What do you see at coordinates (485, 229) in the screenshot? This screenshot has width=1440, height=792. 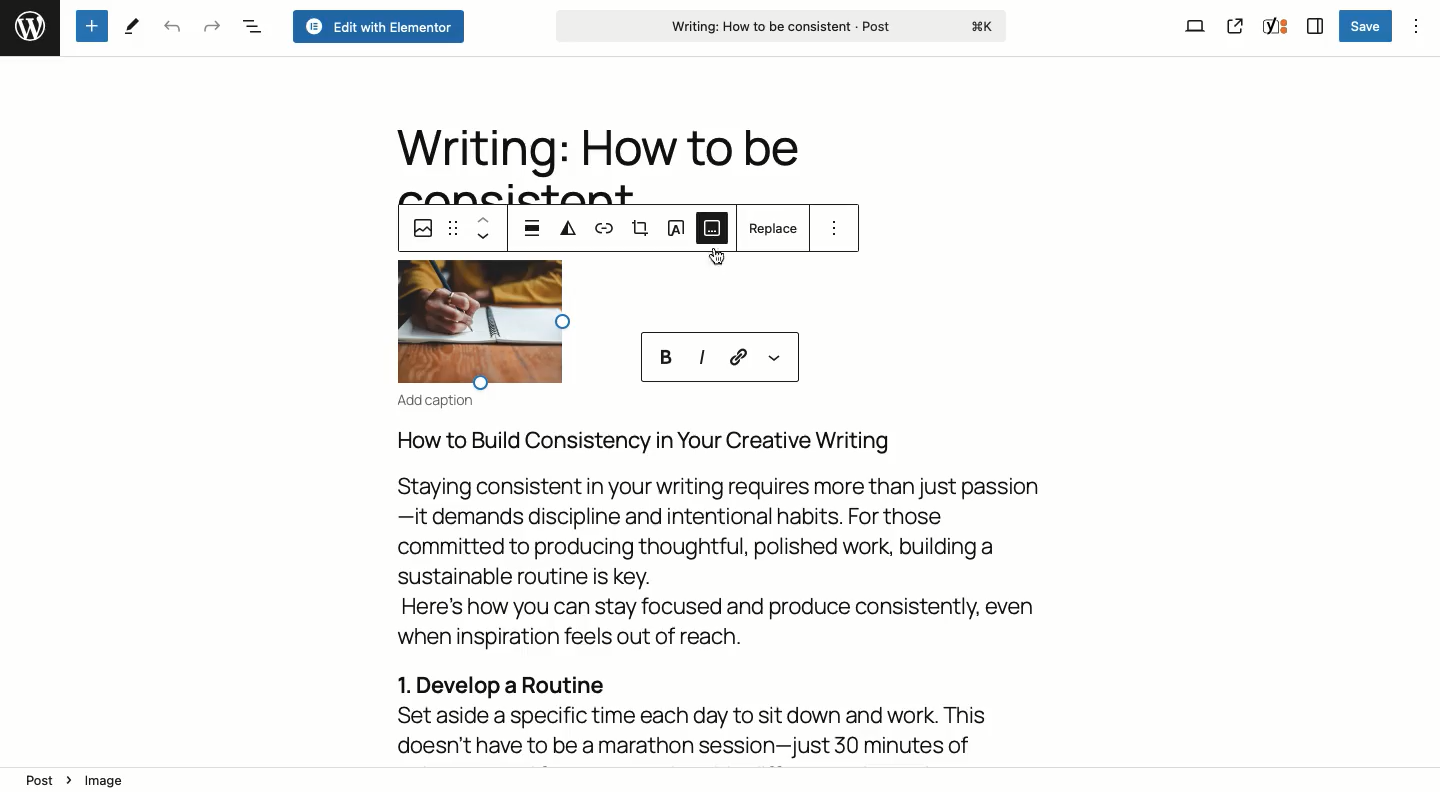 I see `Move up down` at bounding box center [485, 229].